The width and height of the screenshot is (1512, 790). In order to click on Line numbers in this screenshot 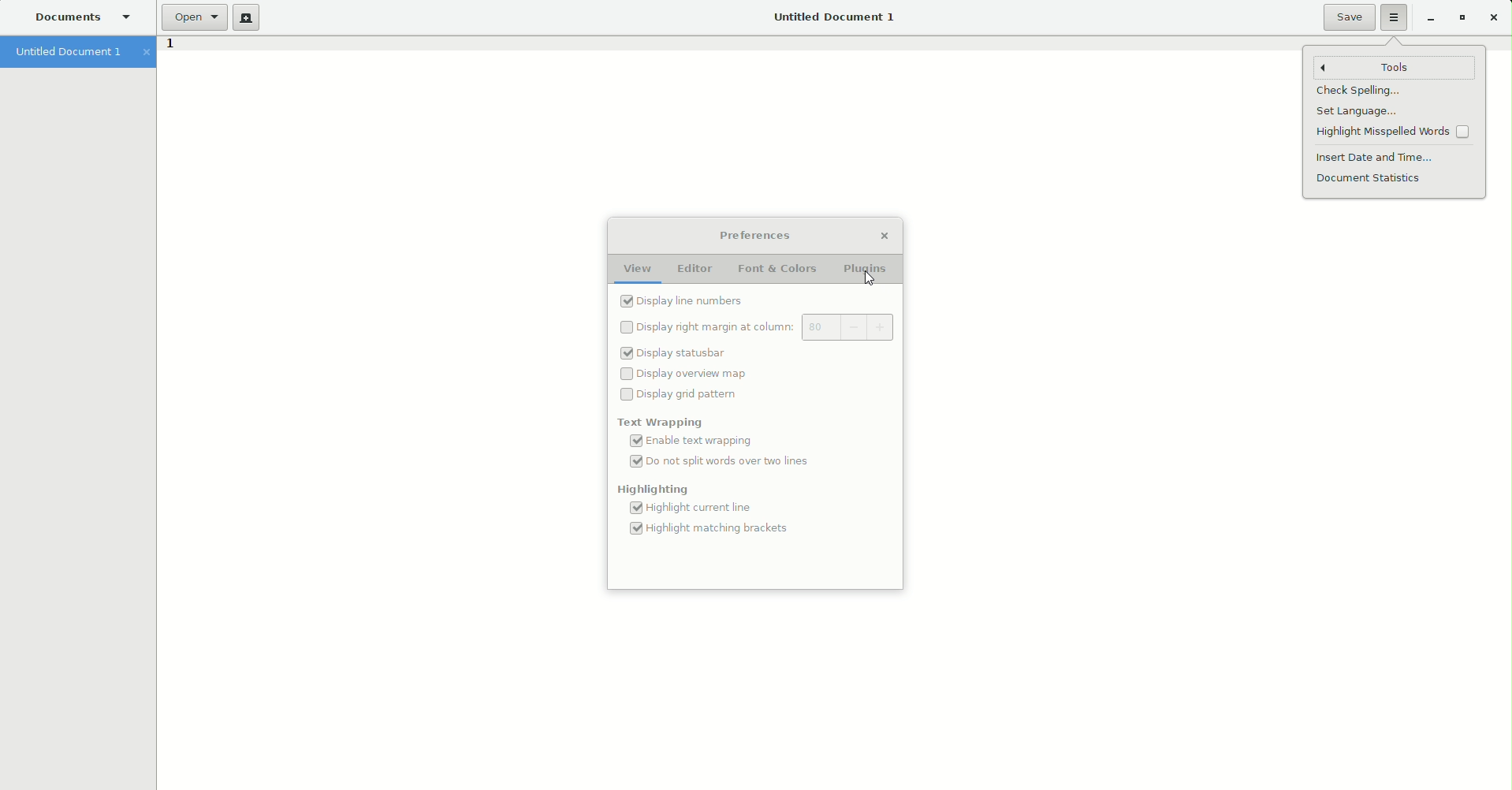, I will do `click(685, 301)`.